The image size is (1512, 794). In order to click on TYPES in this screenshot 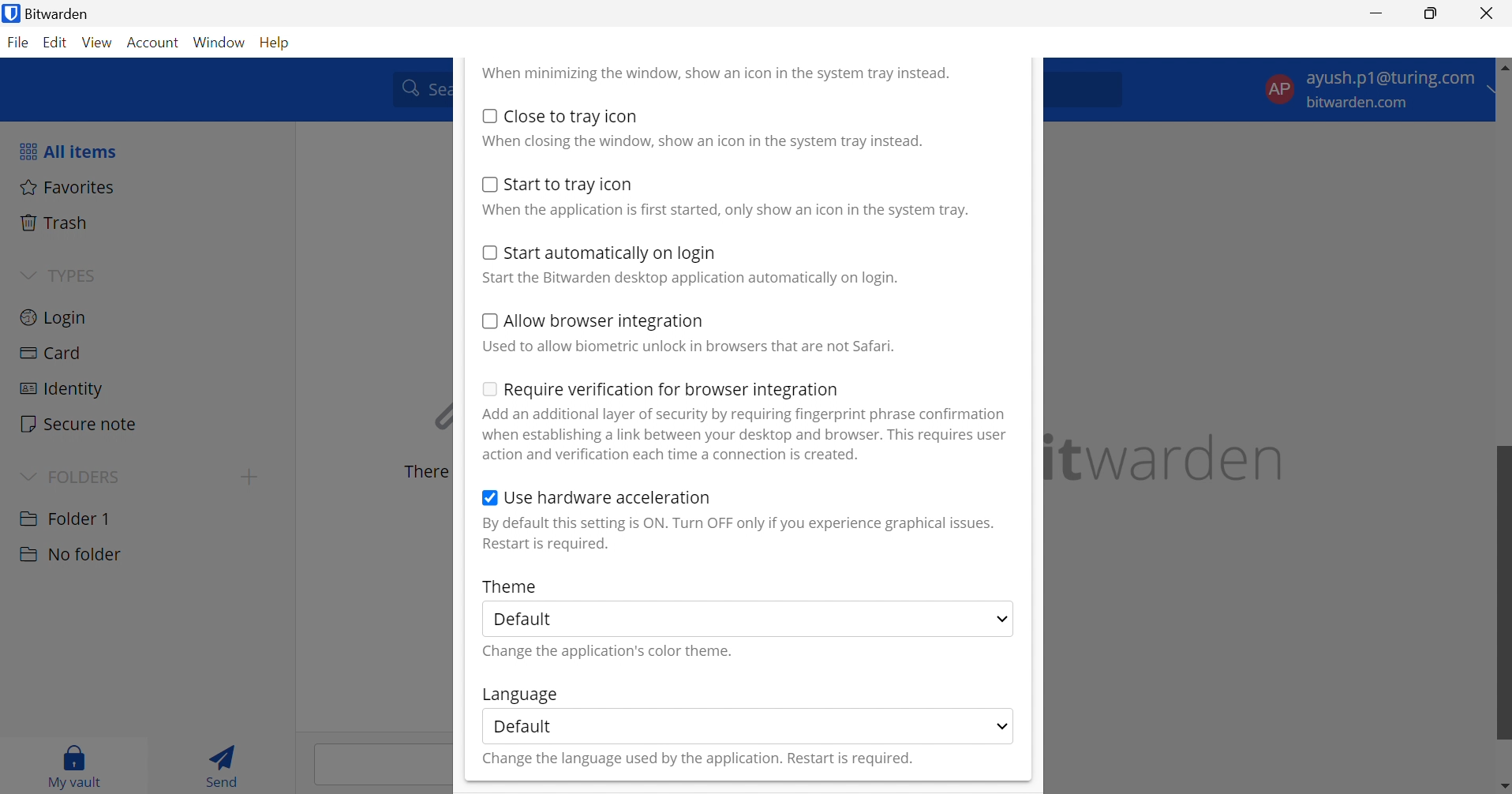, I will do `click(69, 275)`.